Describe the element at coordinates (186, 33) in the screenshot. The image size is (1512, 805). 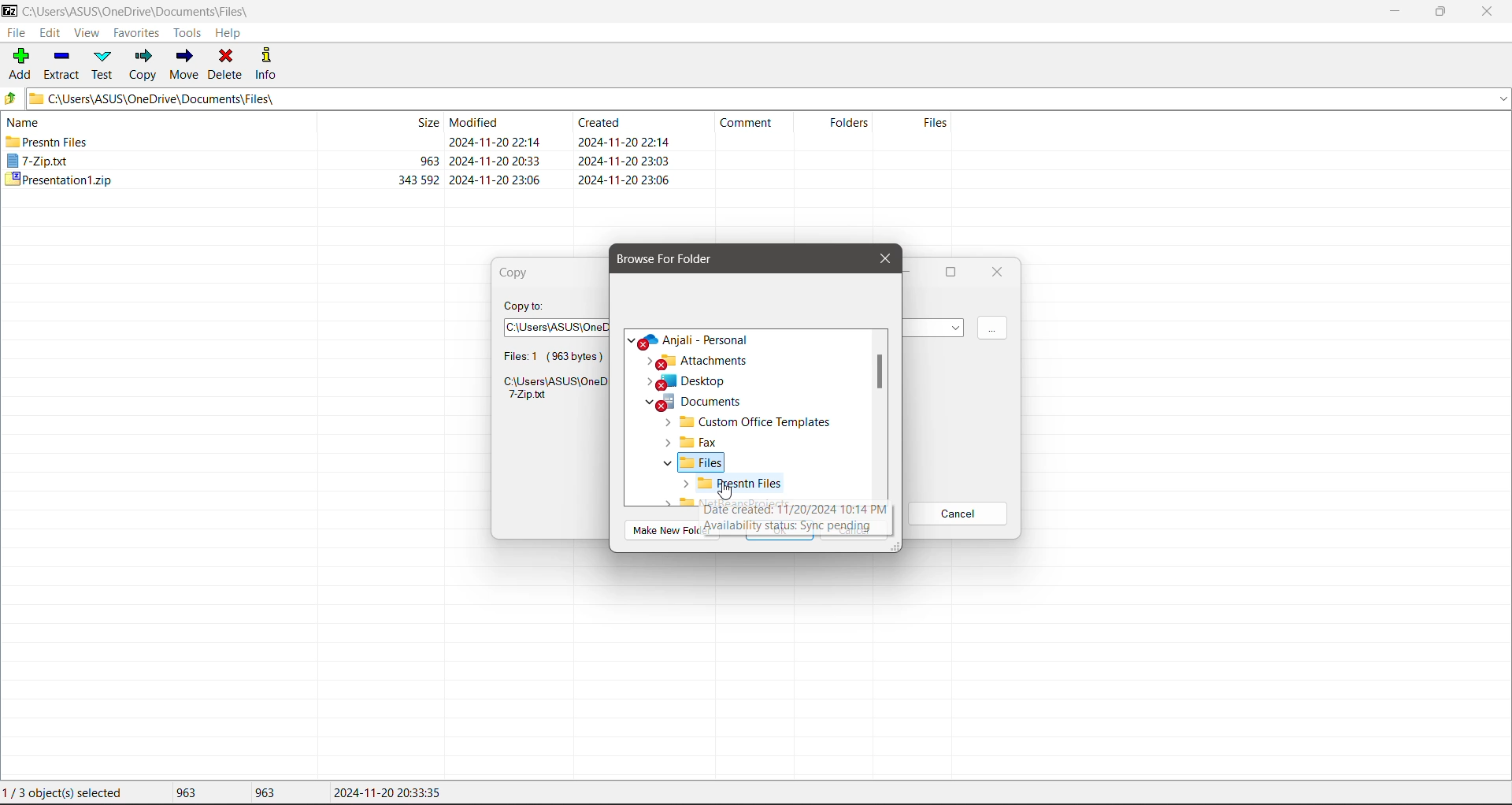
I see `Tools` at that location.